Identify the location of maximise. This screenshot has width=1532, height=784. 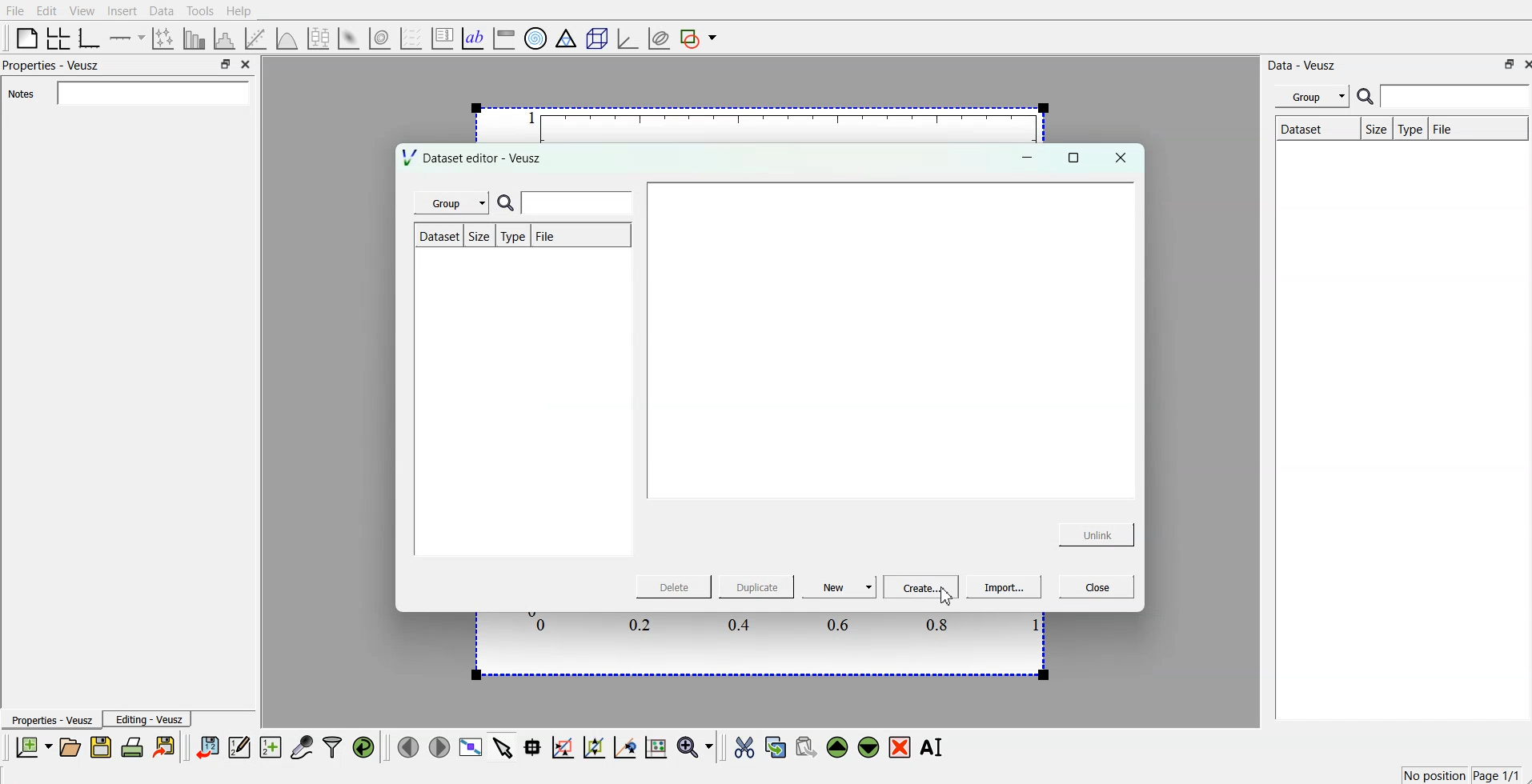
(1074, 157).